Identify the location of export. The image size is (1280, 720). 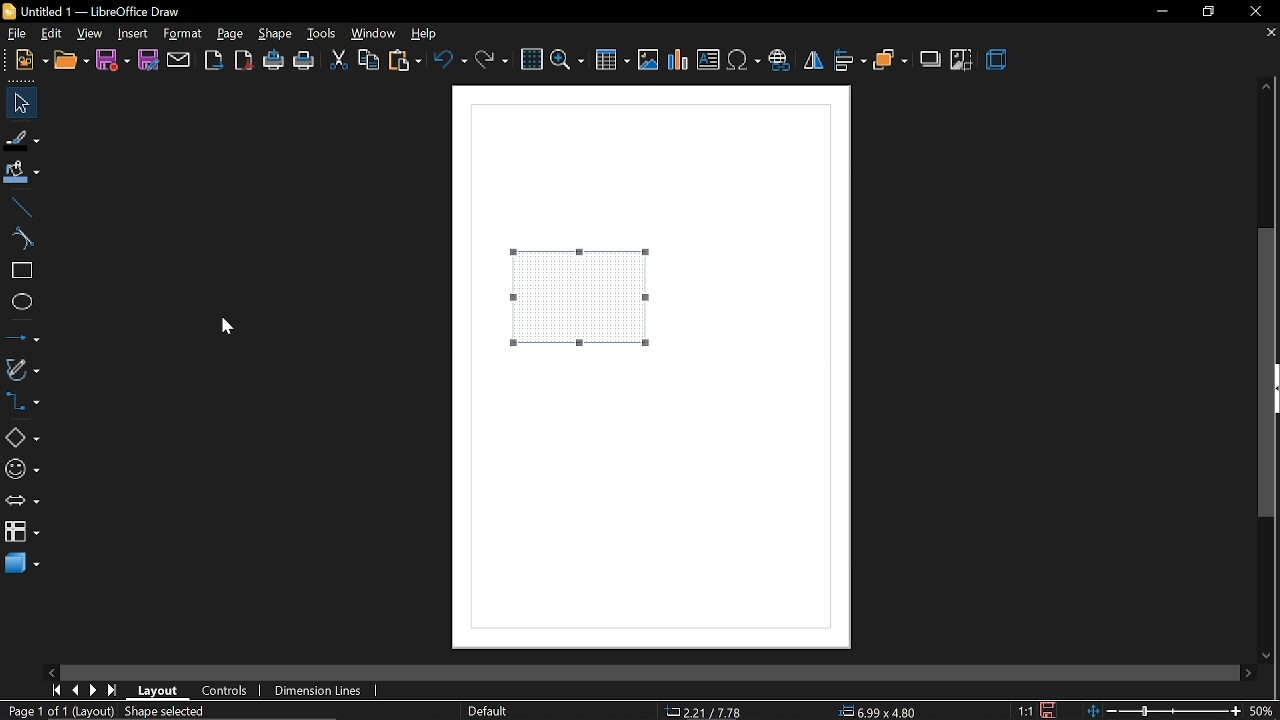
(211, 60).